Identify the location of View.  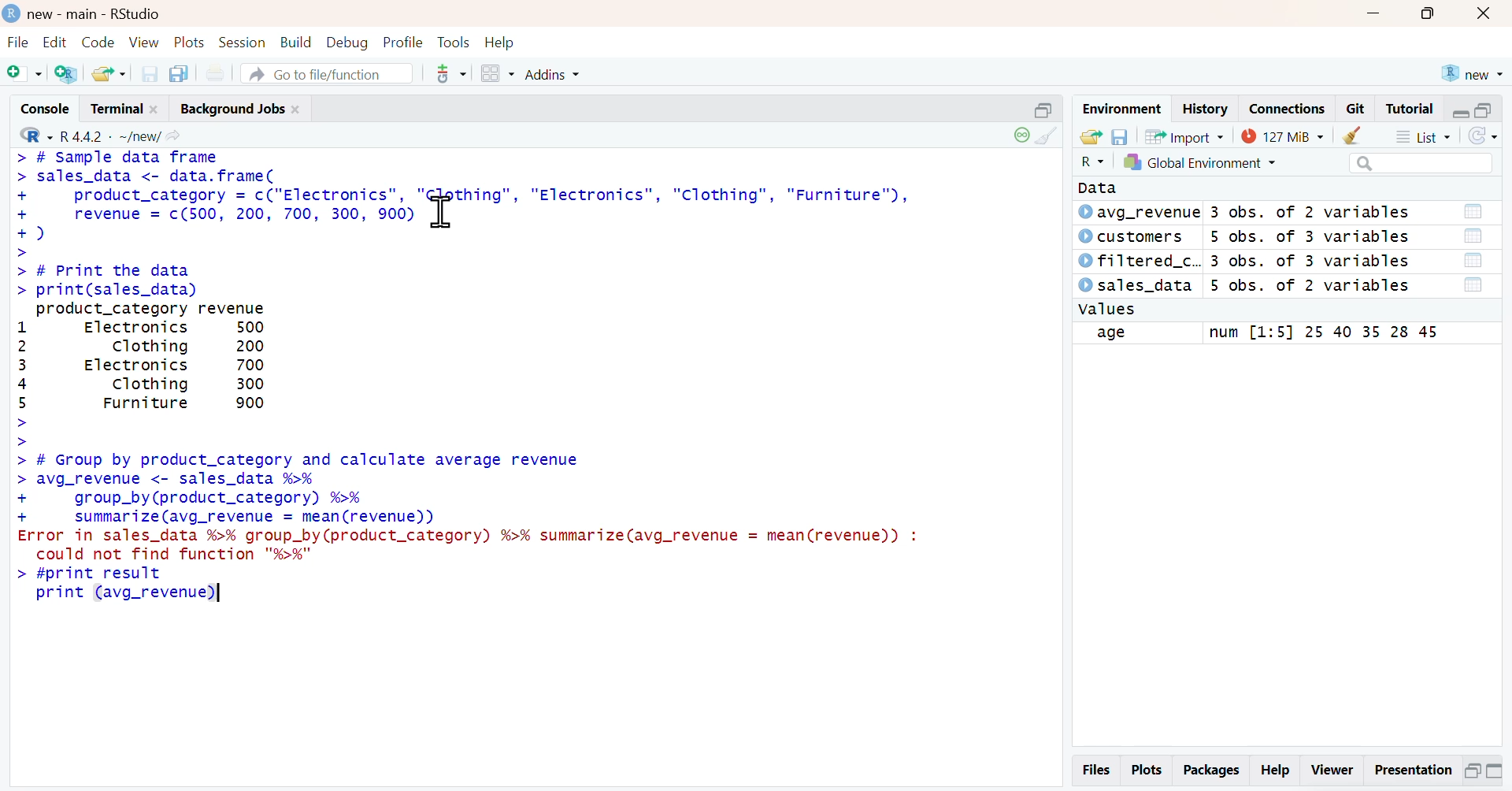
(145, 43).